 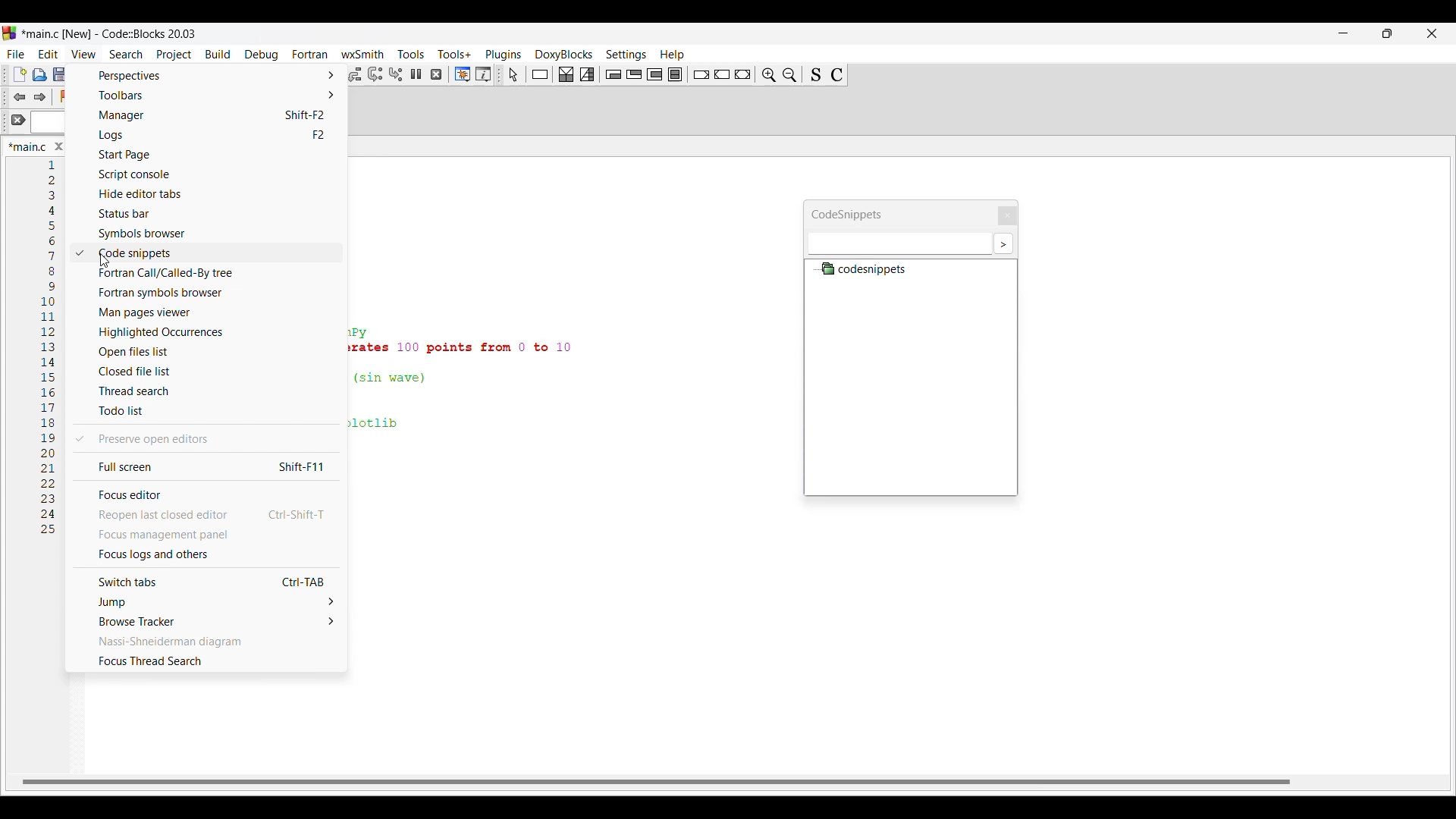 What do you see at coordinates (218, 410) in the screenshot?
I see `Todo list` at bounding box center [218, 410].